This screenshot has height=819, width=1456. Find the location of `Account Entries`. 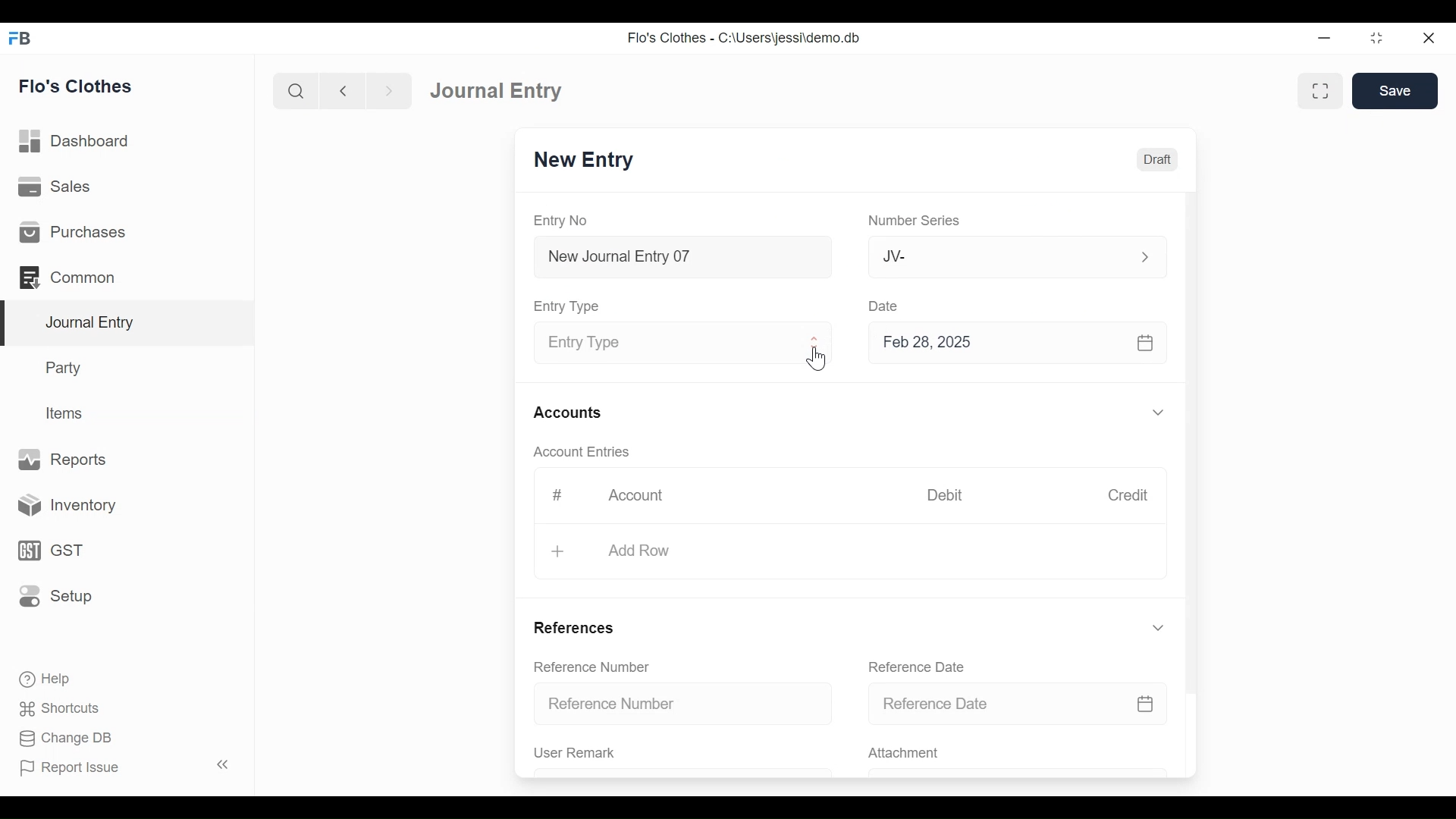

Account Entries is located at coordinates (581, 451).